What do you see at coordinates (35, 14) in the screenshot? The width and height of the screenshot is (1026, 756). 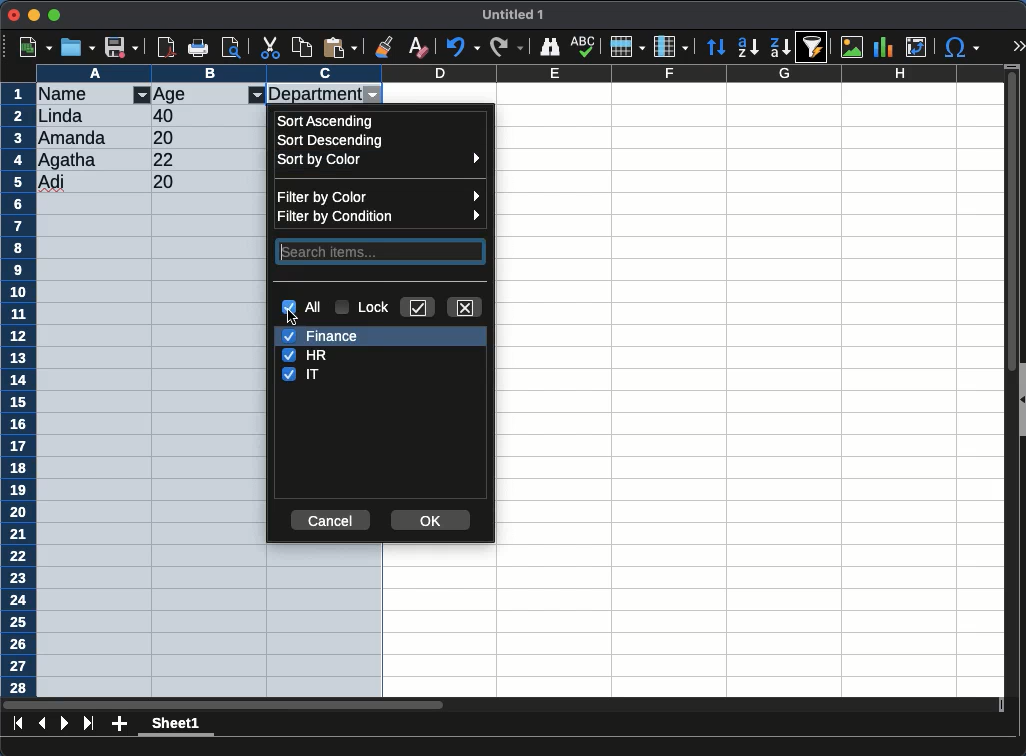 I see `minimize` at bounding box center [35, 14].